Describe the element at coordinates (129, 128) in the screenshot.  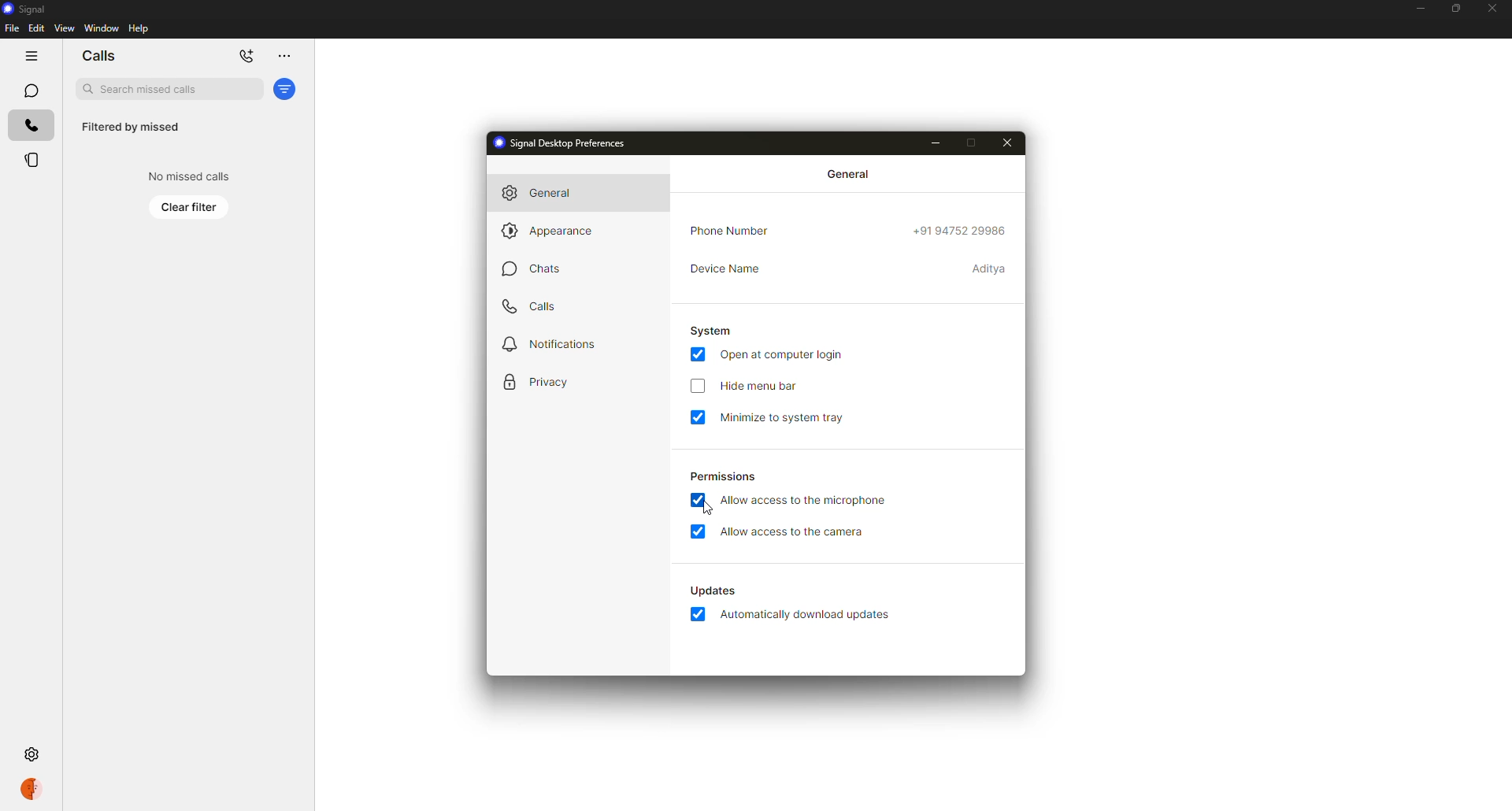
I see `filter by missed` at that location.